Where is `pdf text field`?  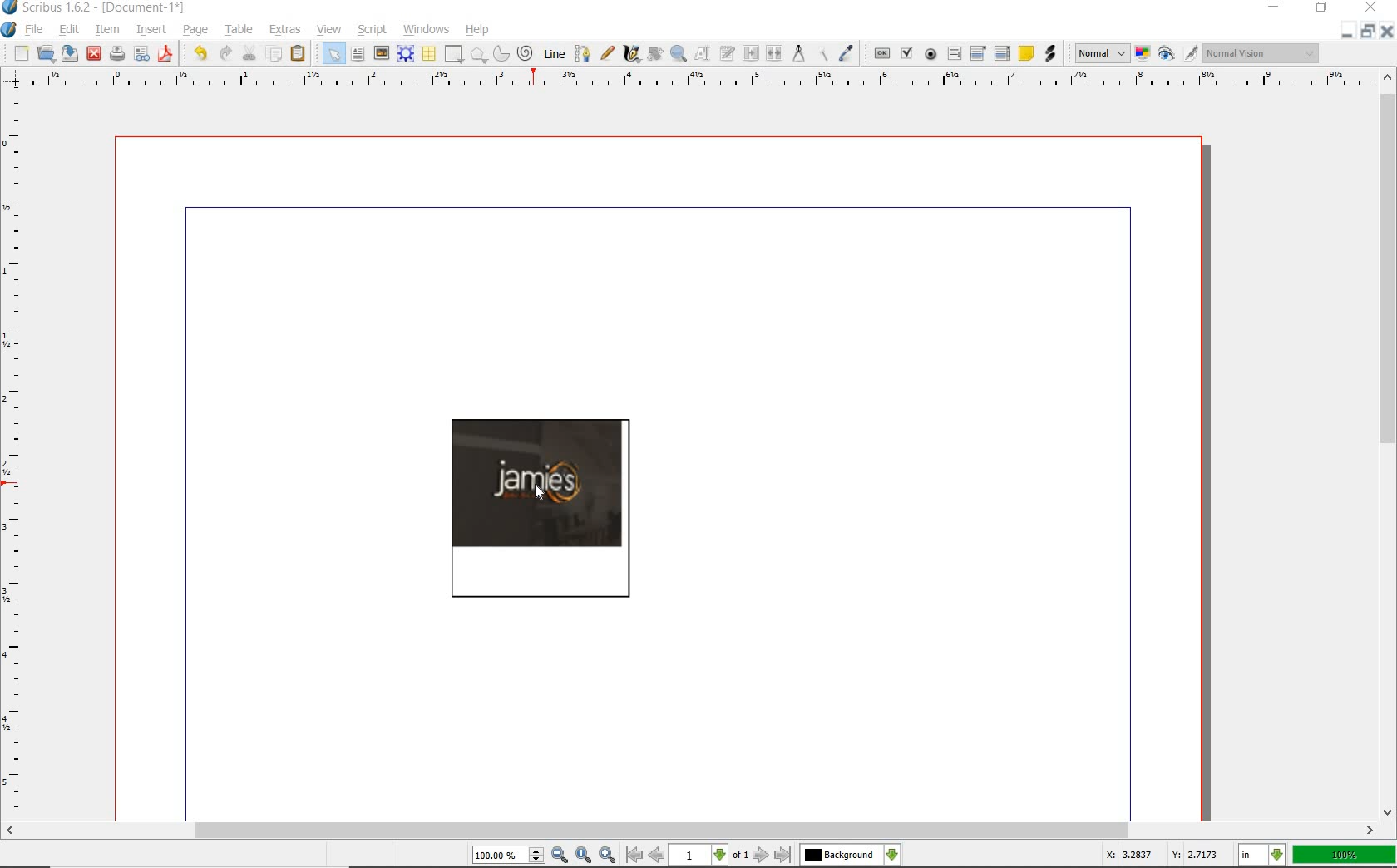 pdf text field is located at coordinates (954, 54).